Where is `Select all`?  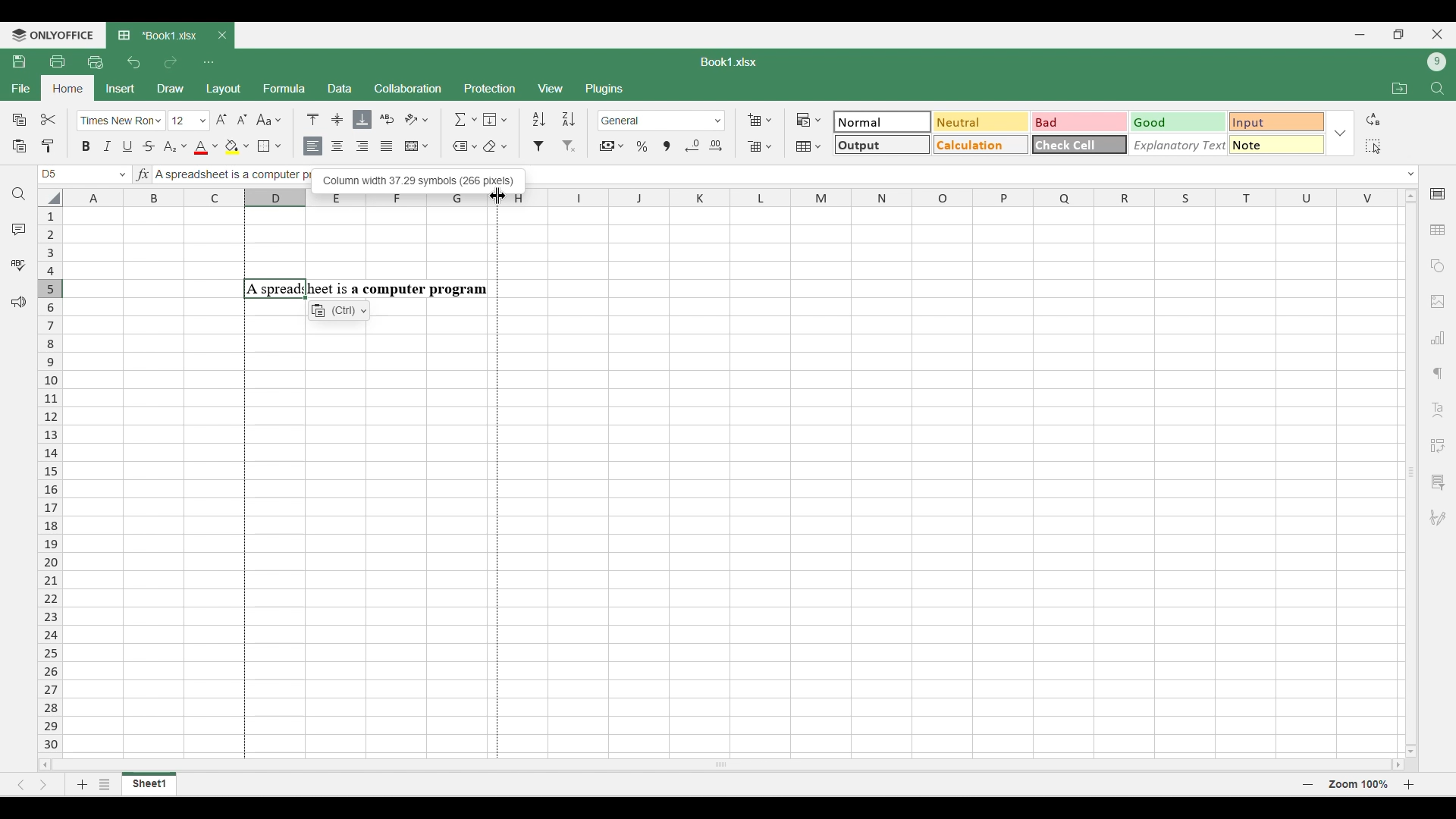
Select all is located at coordinates (1373, 146).